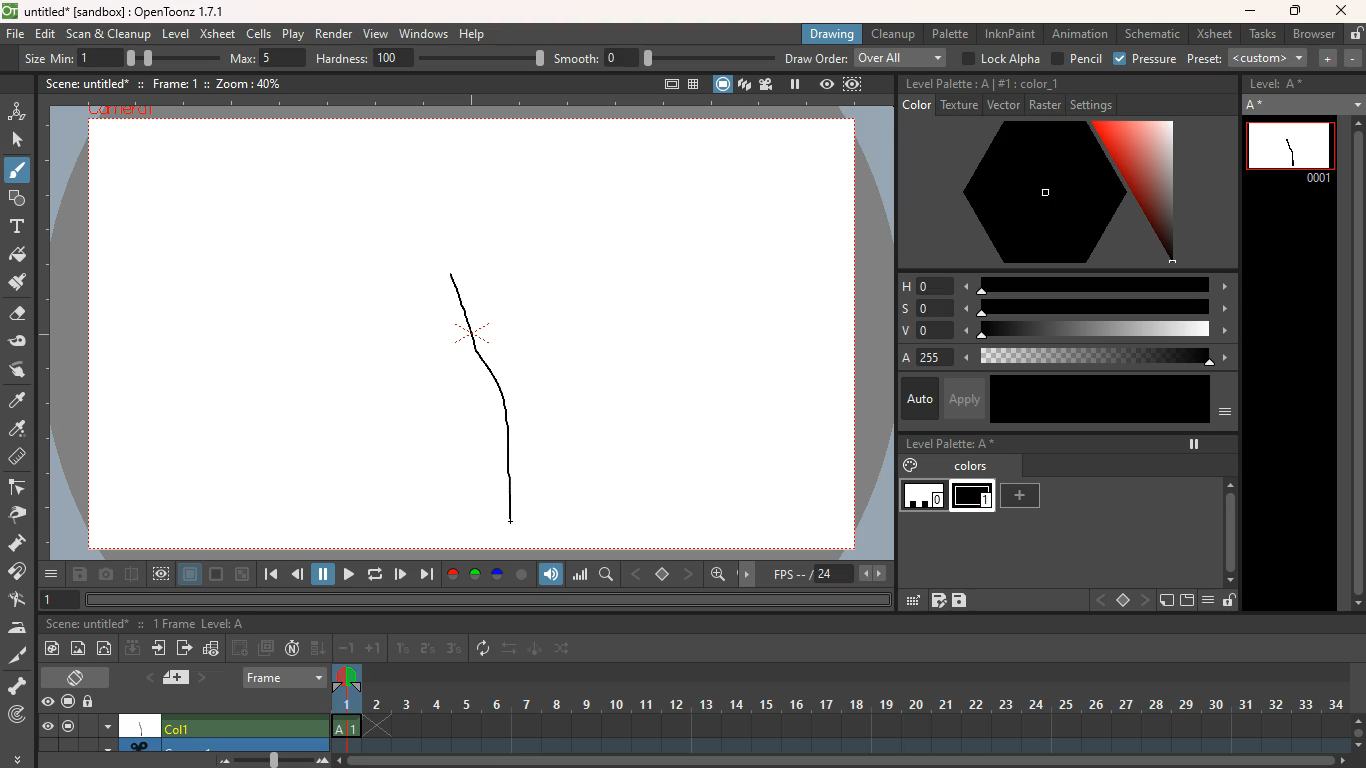 The height and width of the screenshot is (768, 1366). What do you see at coordinates (1147, 600) in the screenshot?
I see `front` at bounding box center [1147, 600].